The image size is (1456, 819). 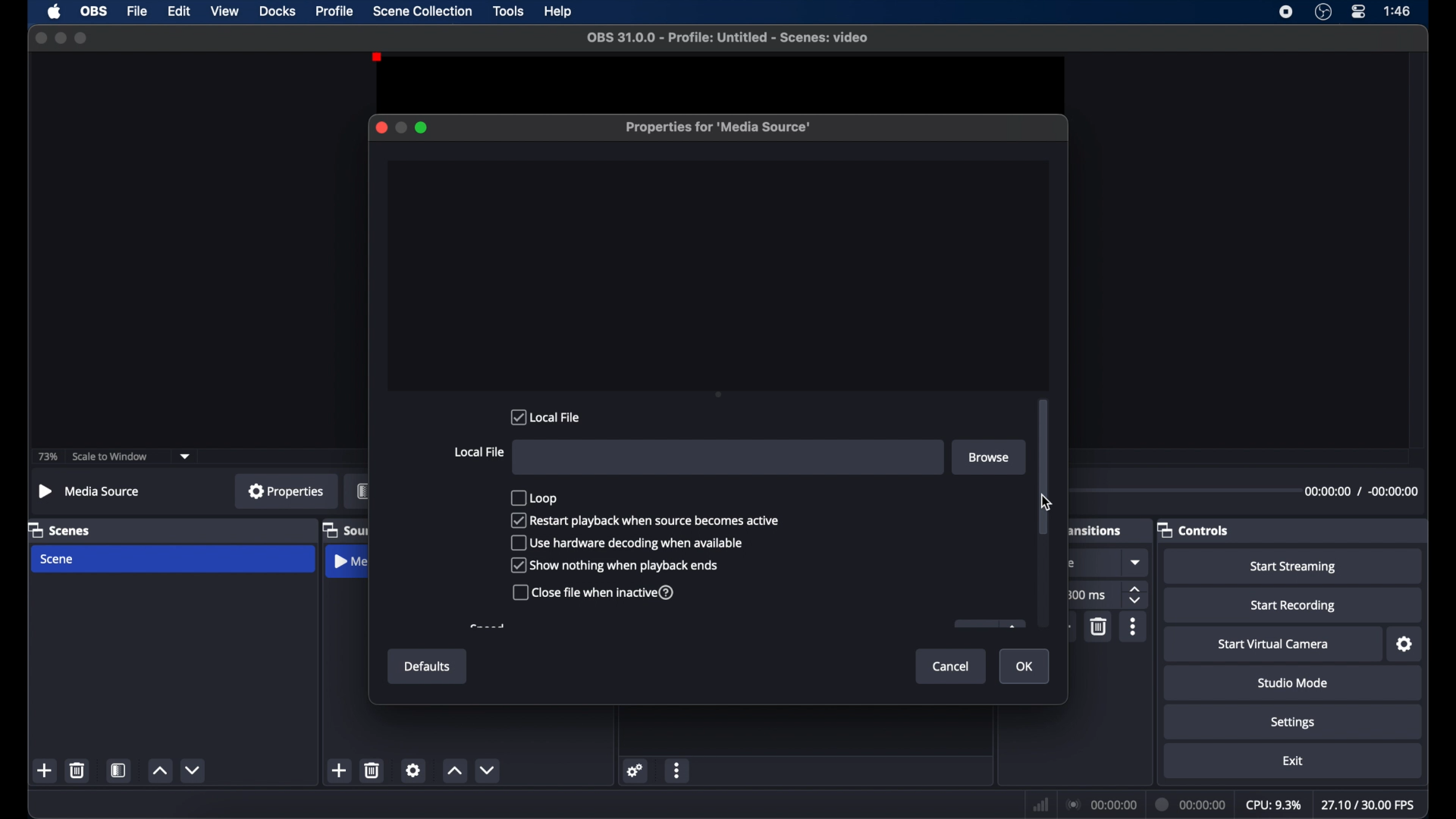 I want to click on scale to window, so click(x=110, y=457).